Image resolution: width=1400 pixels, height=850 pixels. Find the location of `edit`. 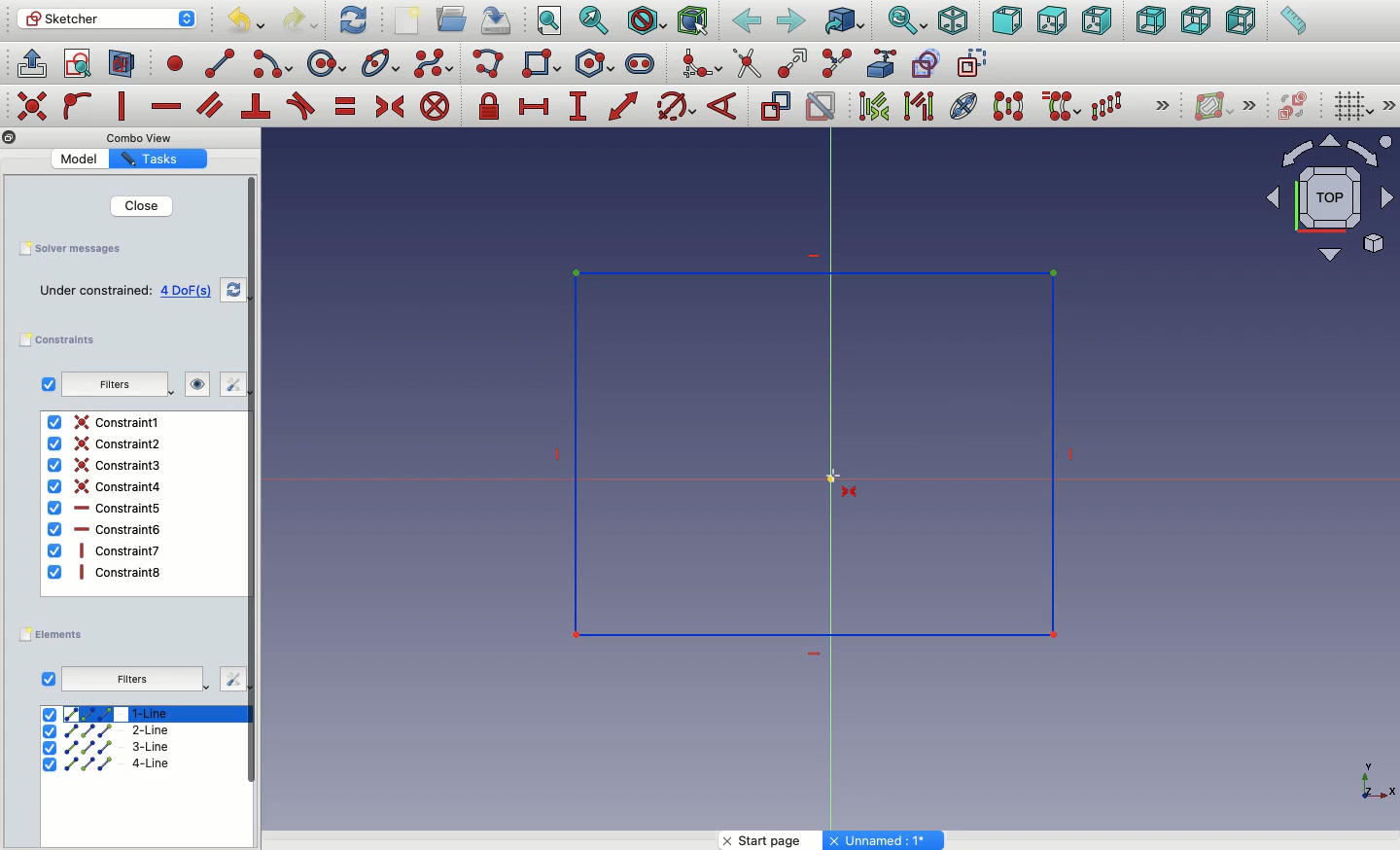

edit is located at coordinates (225, 384).